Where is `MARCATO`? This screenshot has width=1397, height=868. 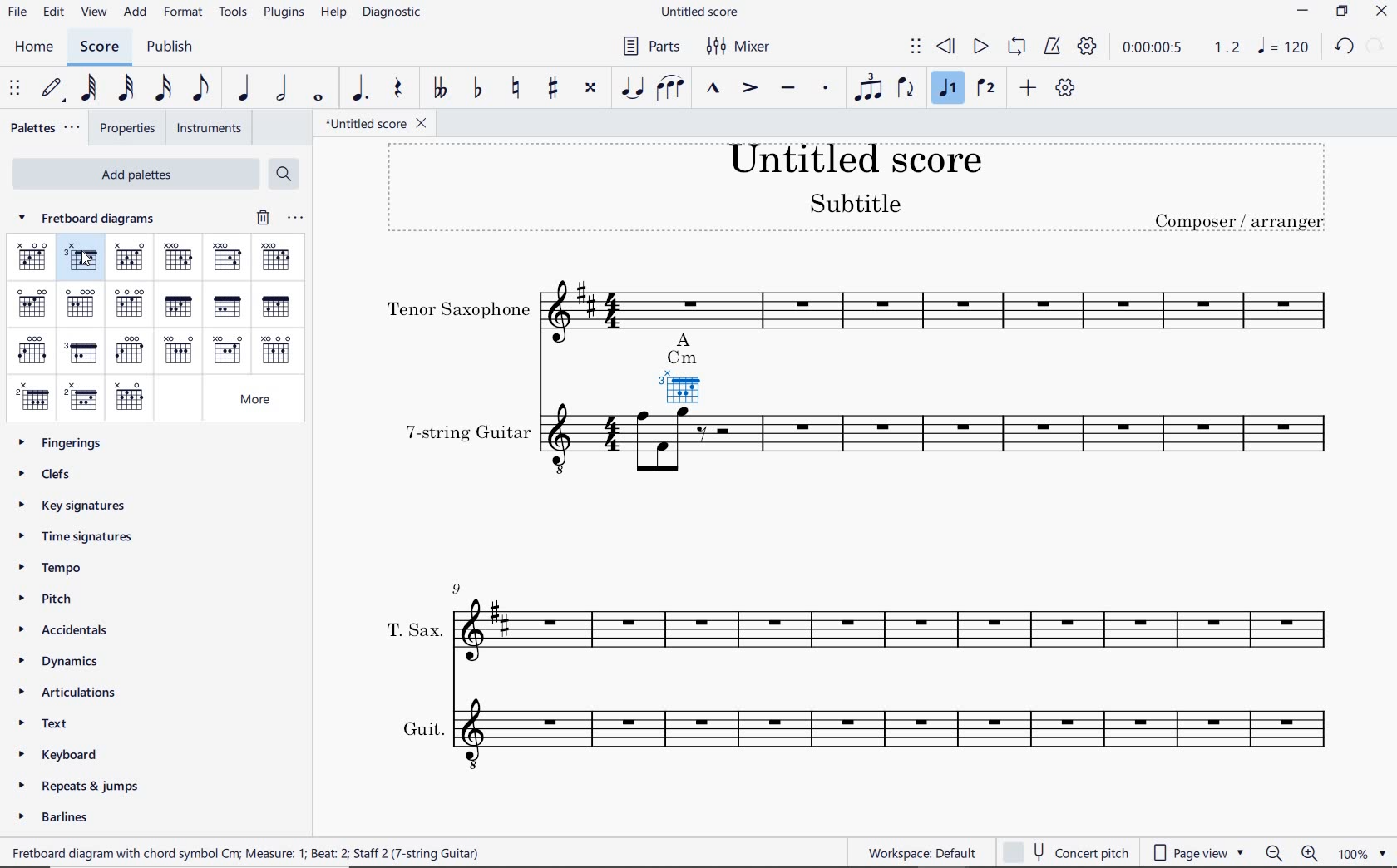 MARCATO is located at coordinates (712, 89).